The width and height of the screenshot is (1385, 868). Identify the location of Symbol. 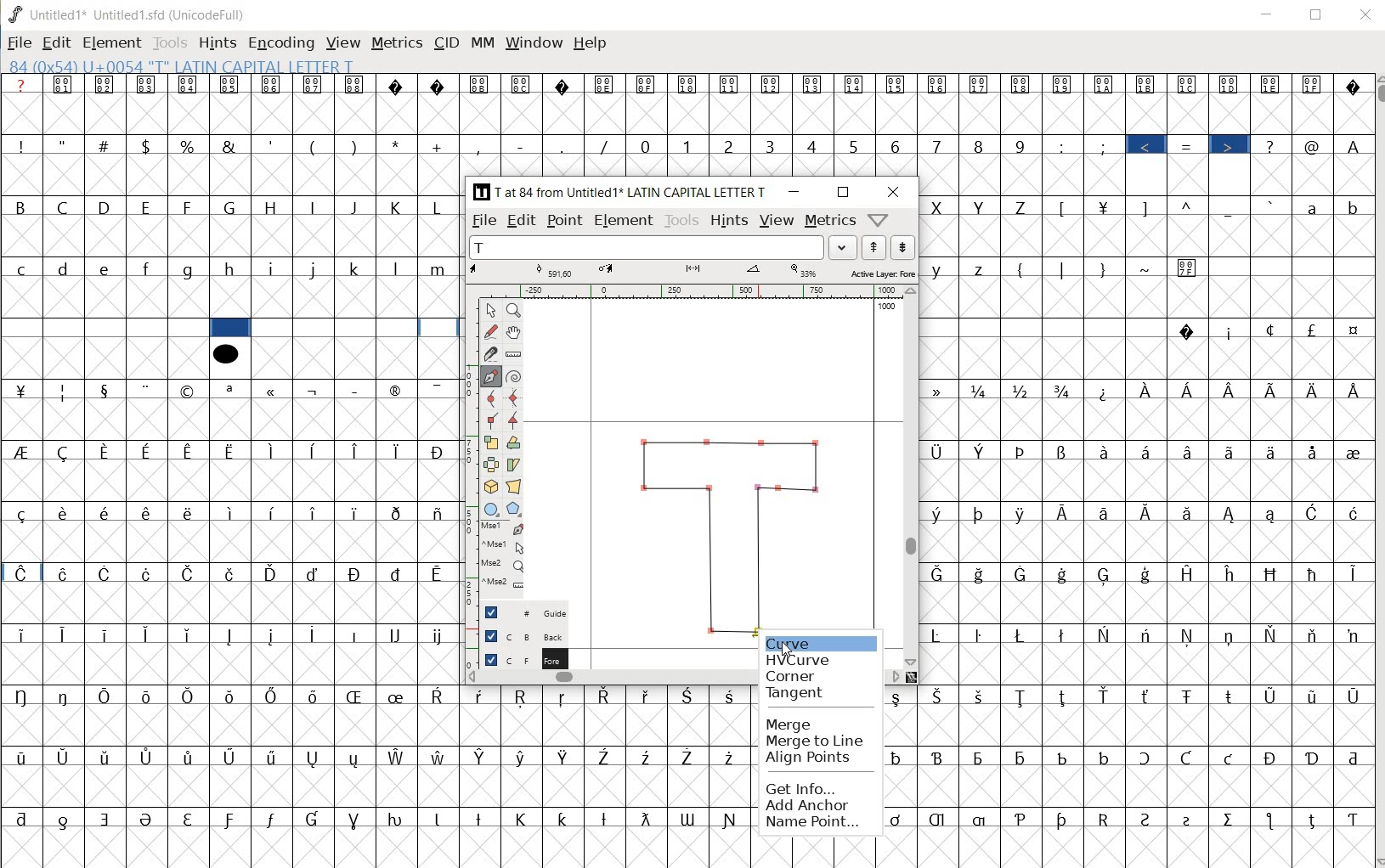
(232, 573).